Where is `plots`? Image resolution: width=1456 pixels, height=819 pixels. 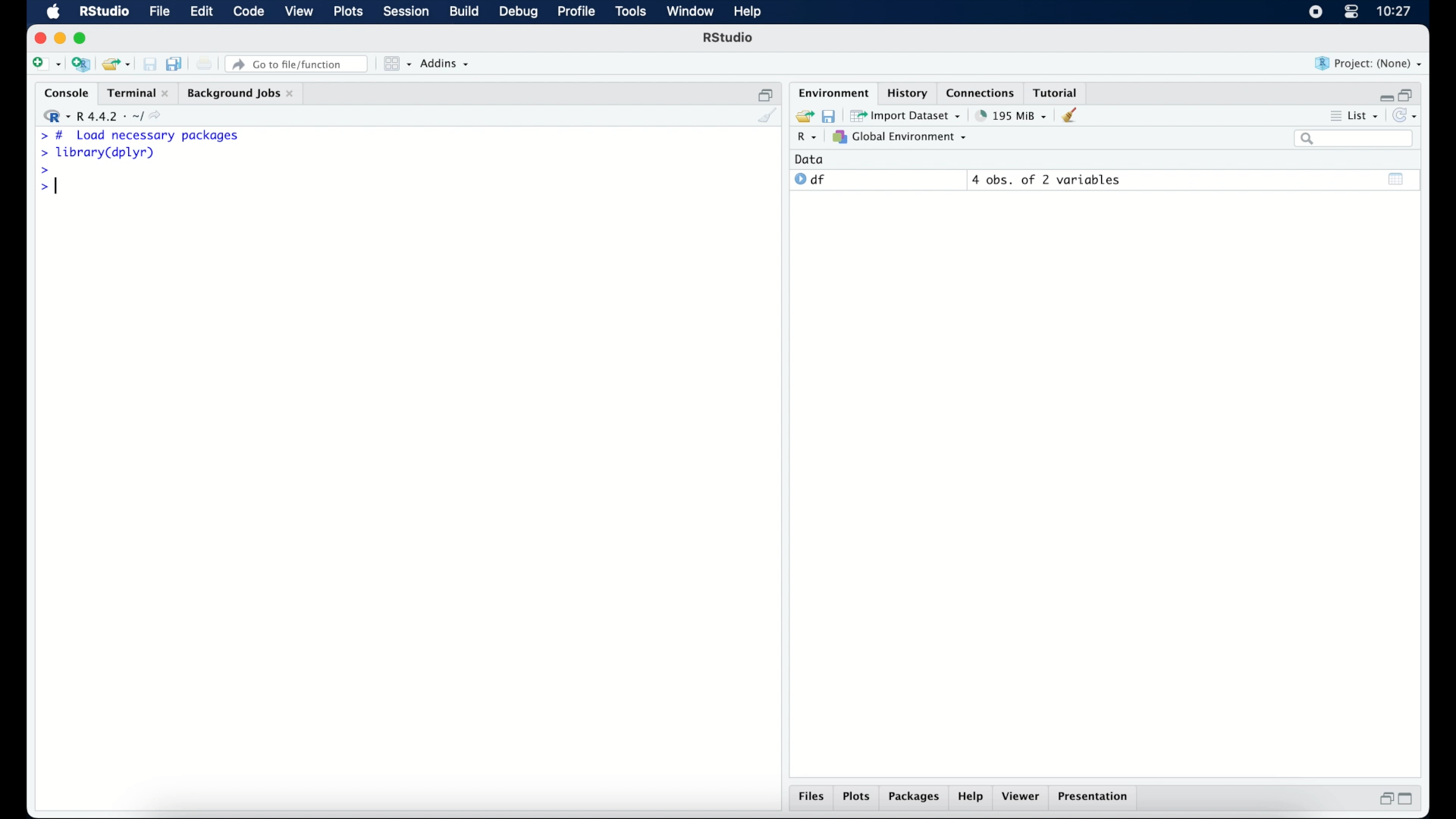 plots is located at coordinates (350, 13).